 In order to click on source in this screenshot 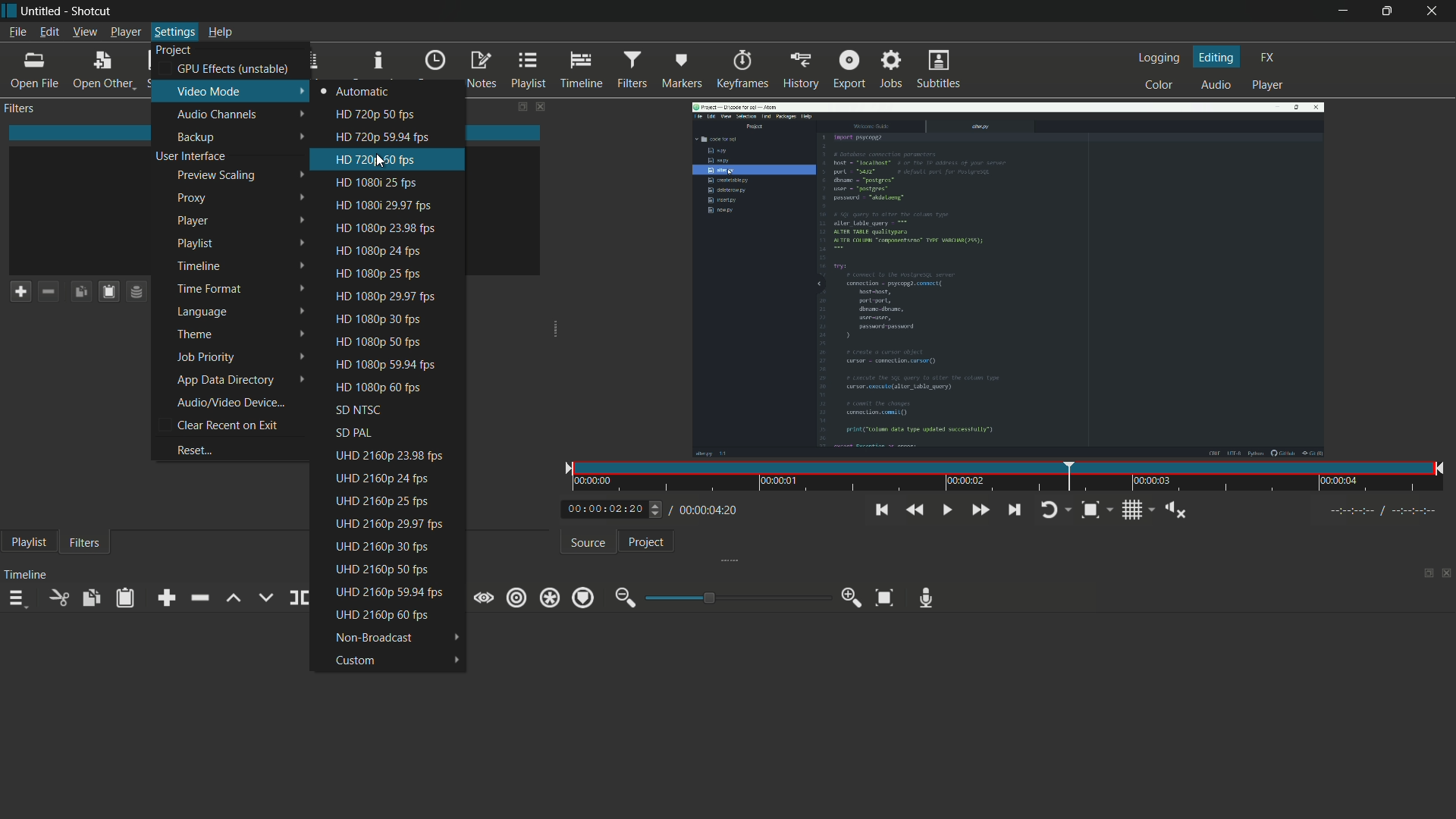, I will do `click(588, 542)`.